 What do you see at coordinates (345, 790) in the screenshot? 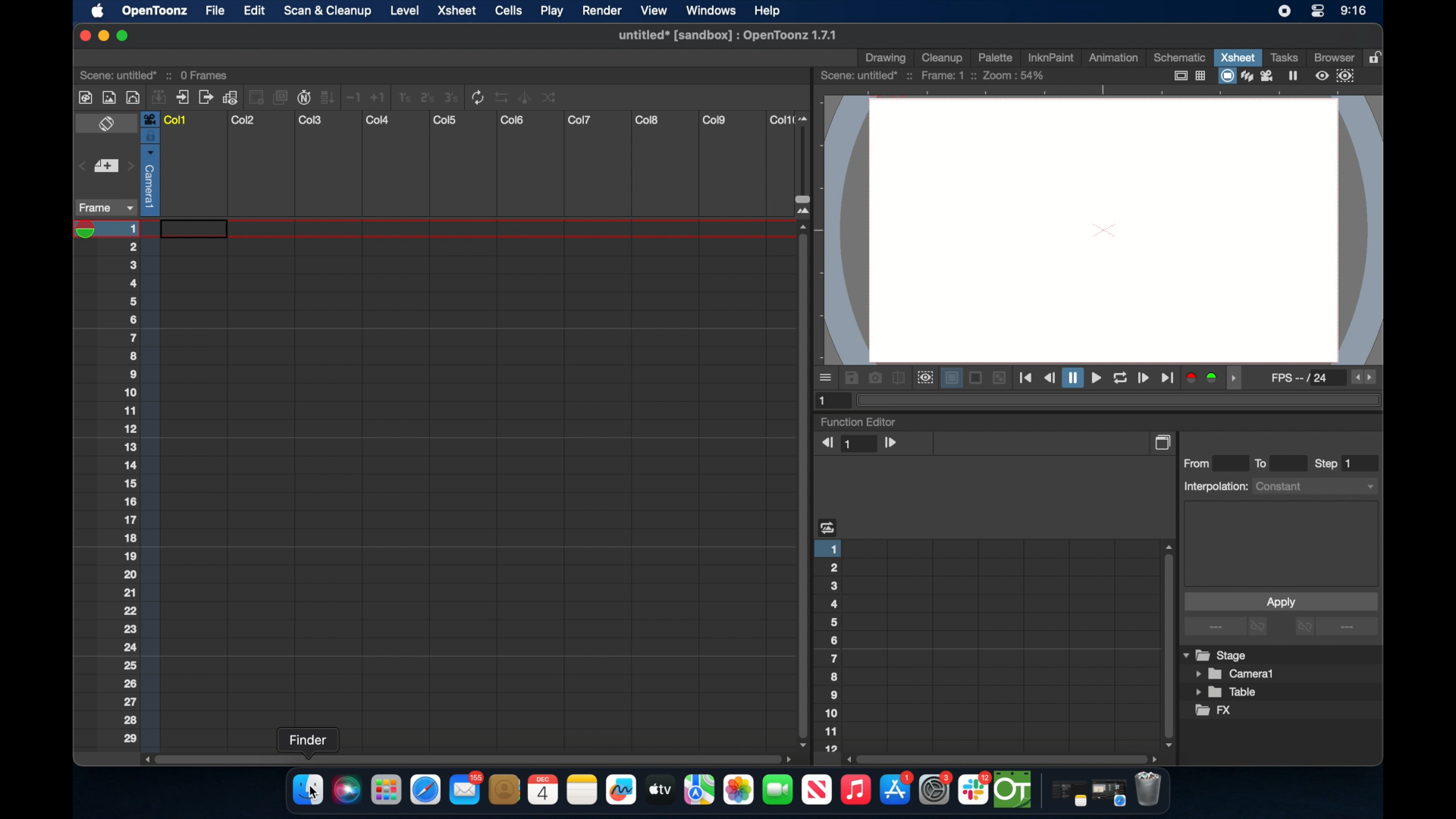
I see `siri` at bounding box center [345, 790].